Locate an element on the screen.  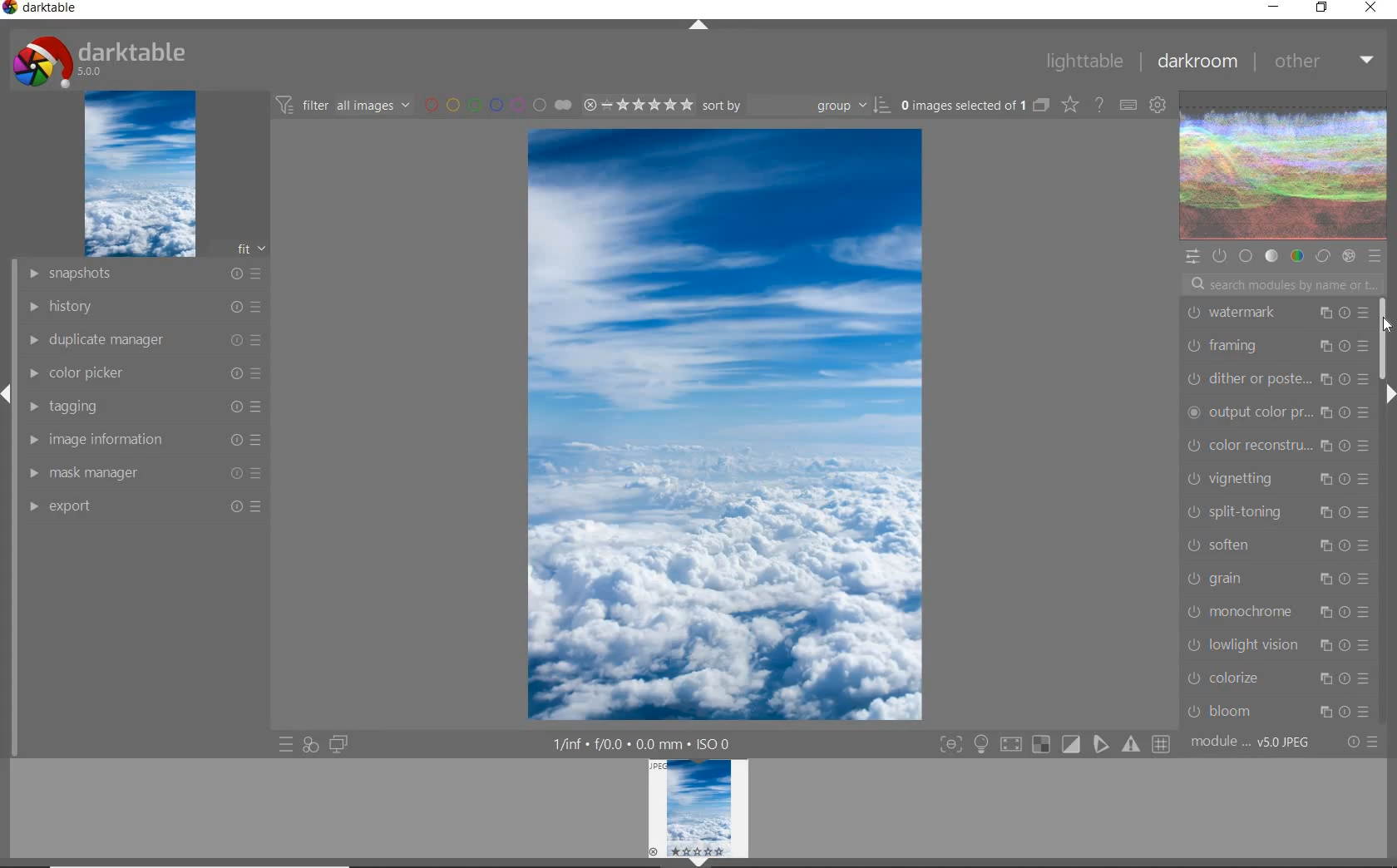
RESET OR PRESET & PREFERENCE is located at coordinates (1361, 741).